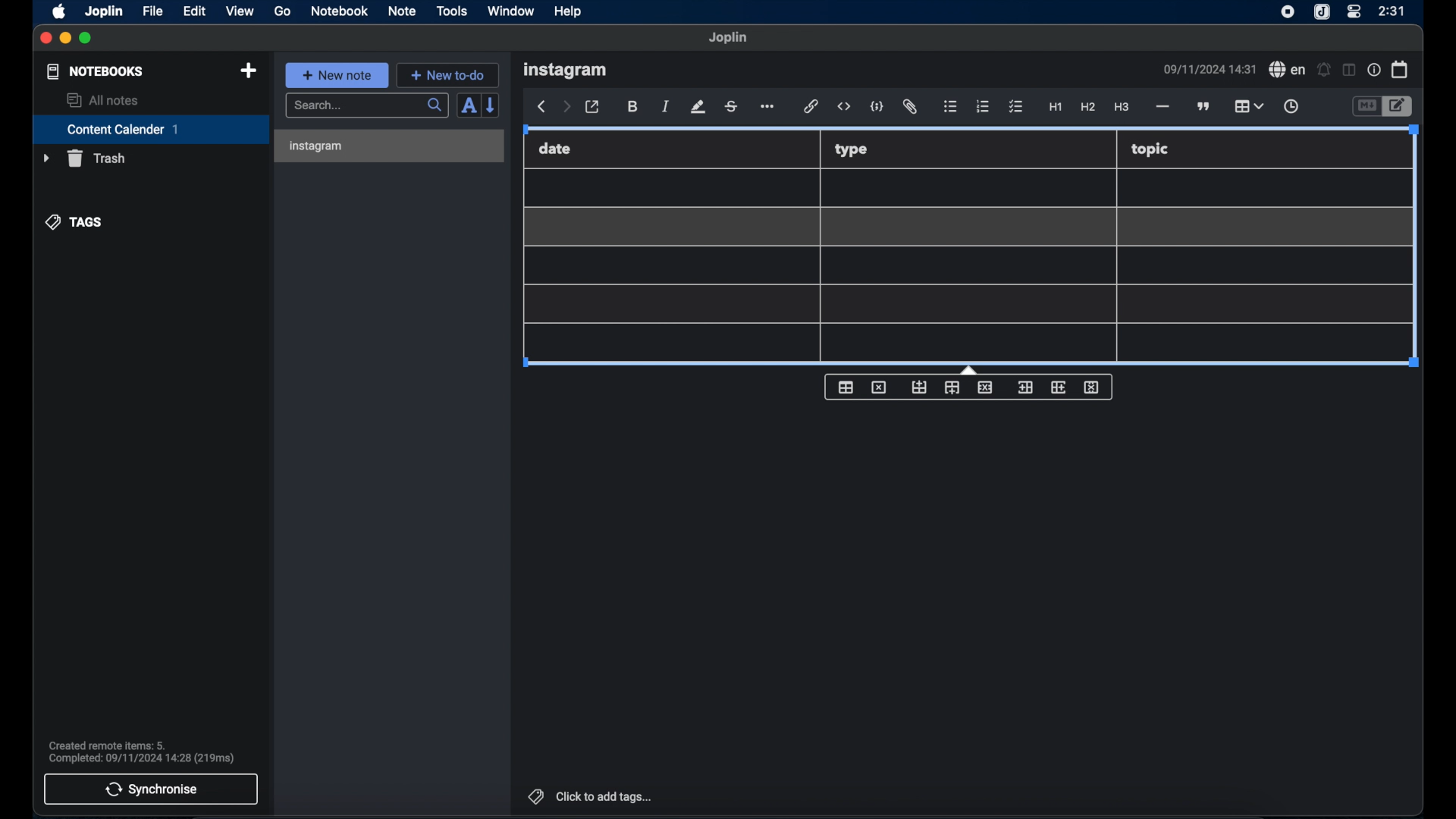  Describe the element at coordinates (566, 108) in the screenshot. I see `forward` at that location.